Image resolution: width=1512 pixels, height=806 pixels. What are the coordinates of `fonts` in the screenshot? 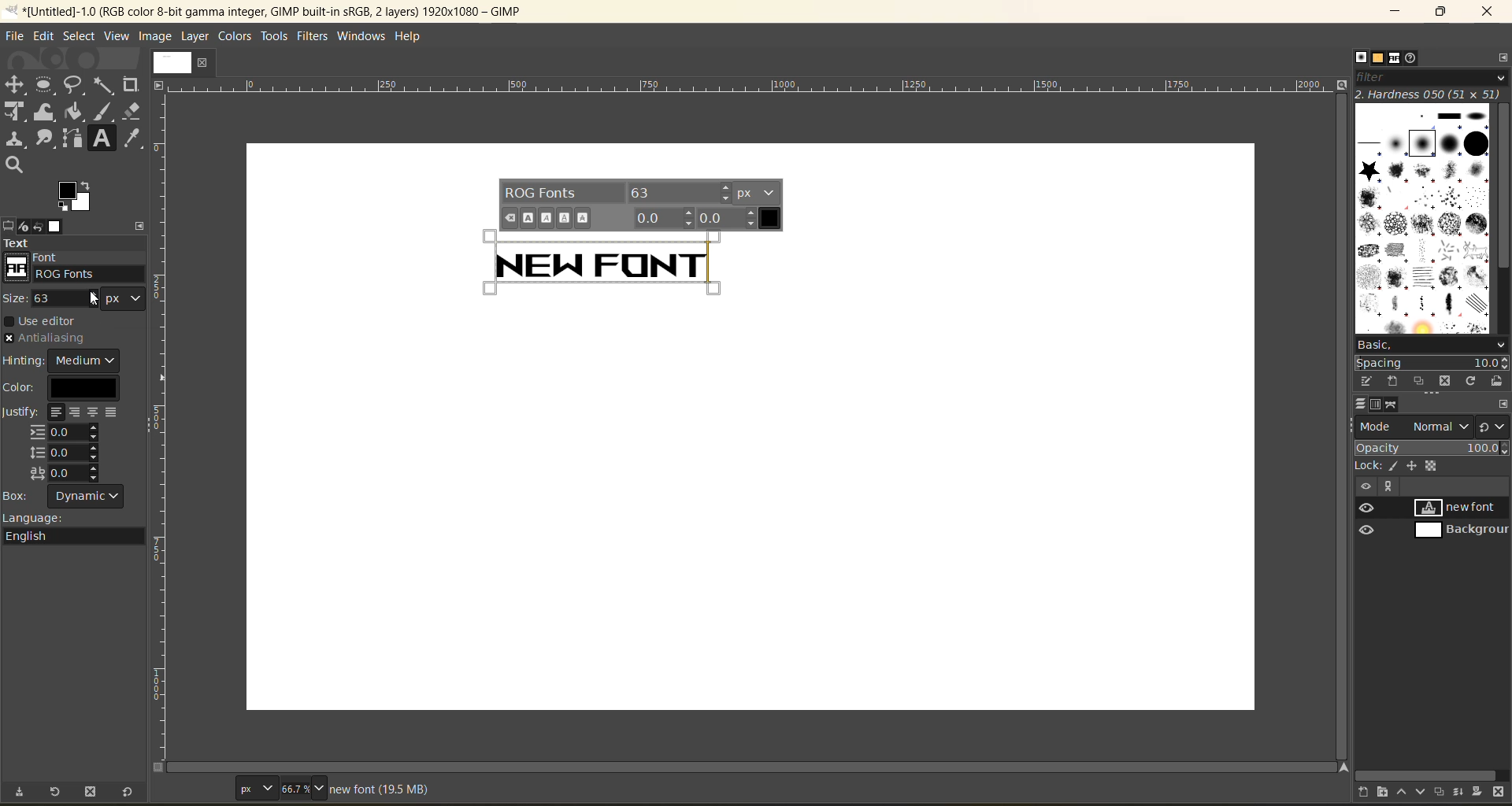 It's located at (1397, 58).